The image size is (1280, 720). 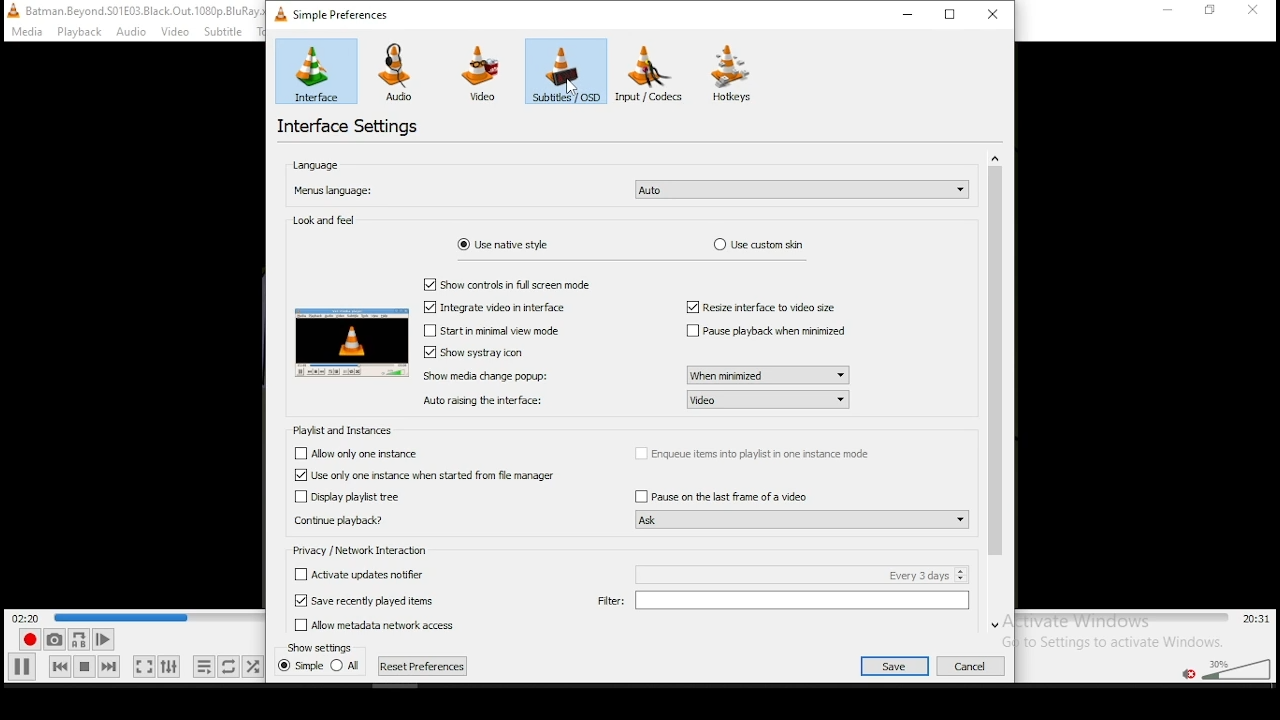 I want to click on loop between point A and point B continuously. Click set point A., so click(x=78, y=640).